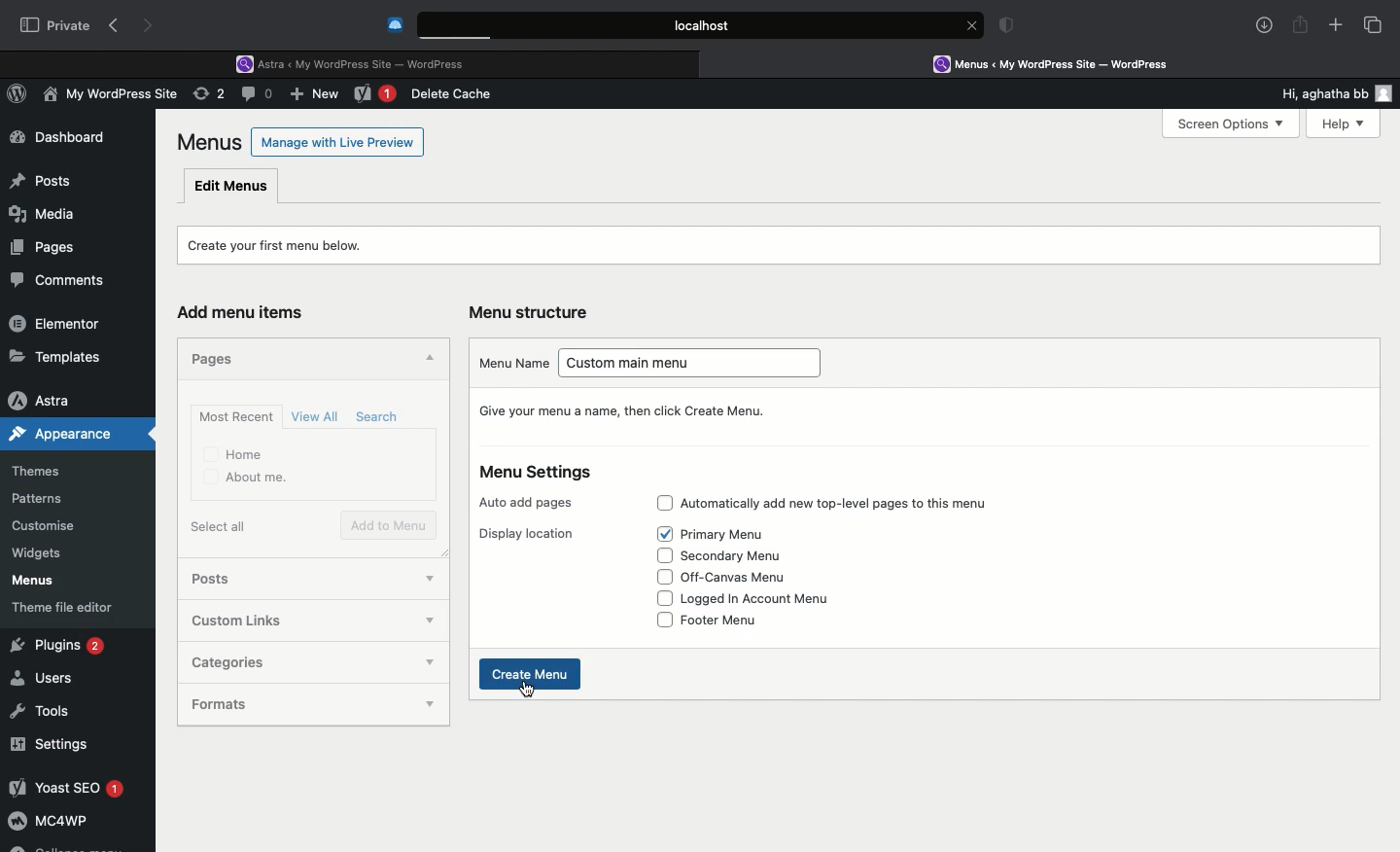  What do you see at coordinates (288, 243) in the screenshot?
I see `Create your first menu below` at bounding box center [288, 243].